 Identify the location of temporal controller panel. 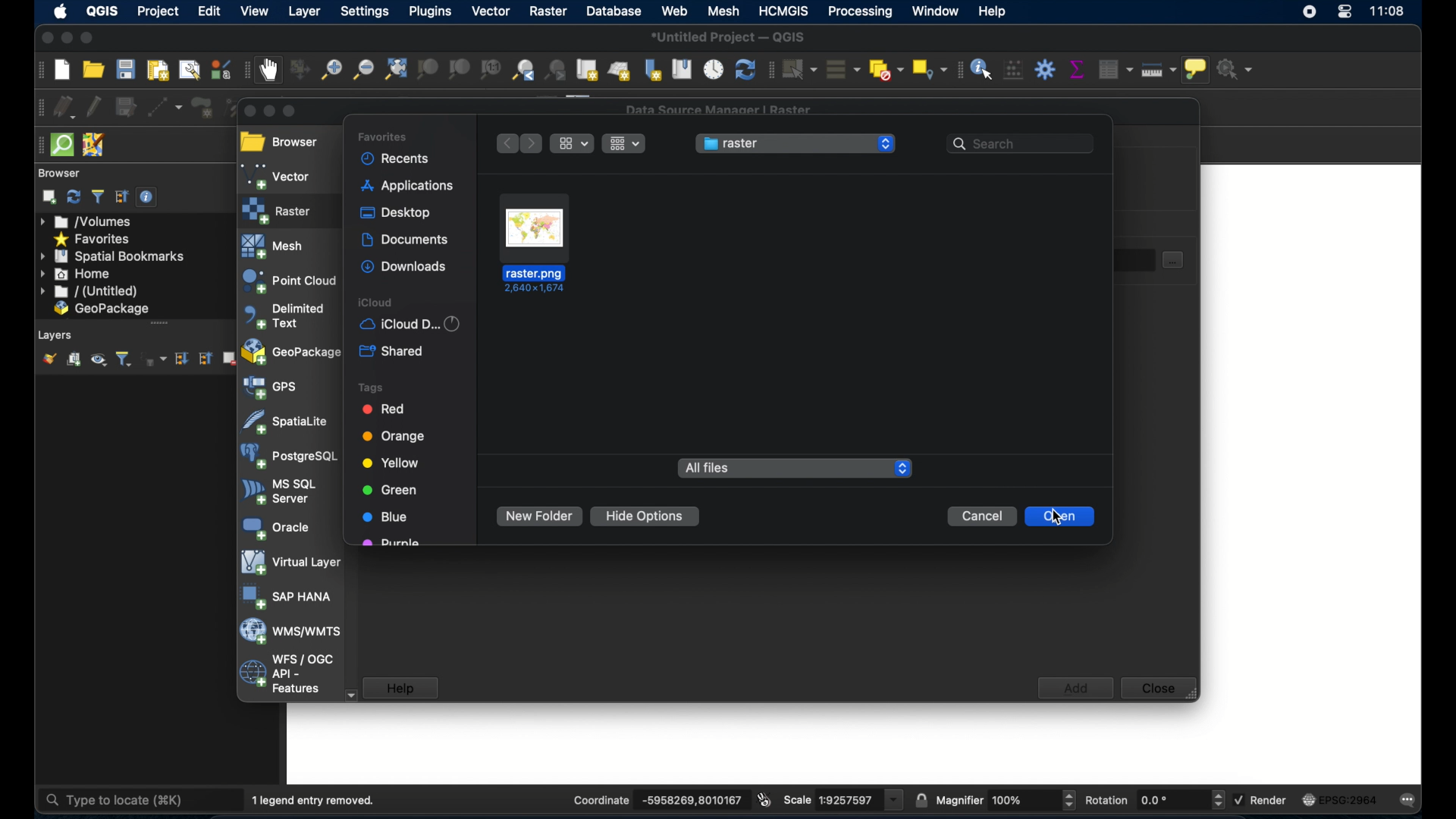
(714, 69).